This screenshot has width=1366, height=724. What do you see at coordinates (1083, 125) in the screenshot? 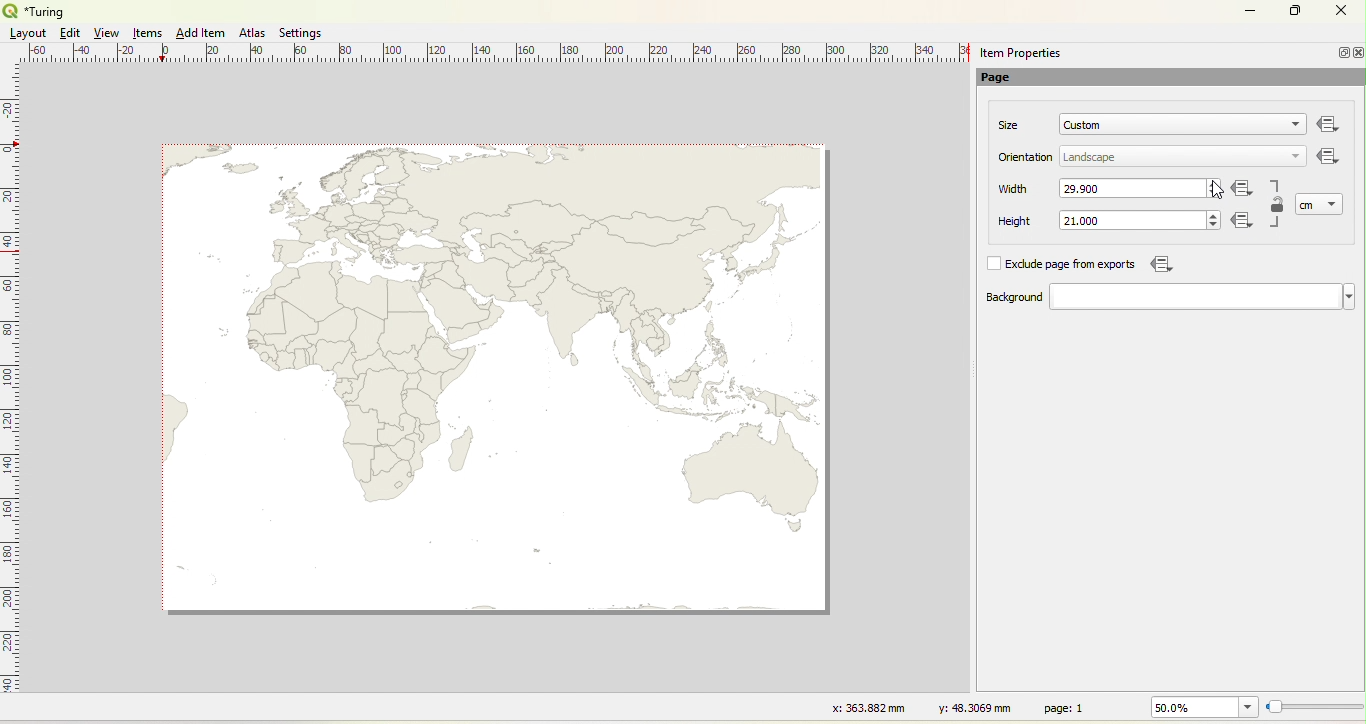
I see `Custom` at bounding box center [1083, 125].